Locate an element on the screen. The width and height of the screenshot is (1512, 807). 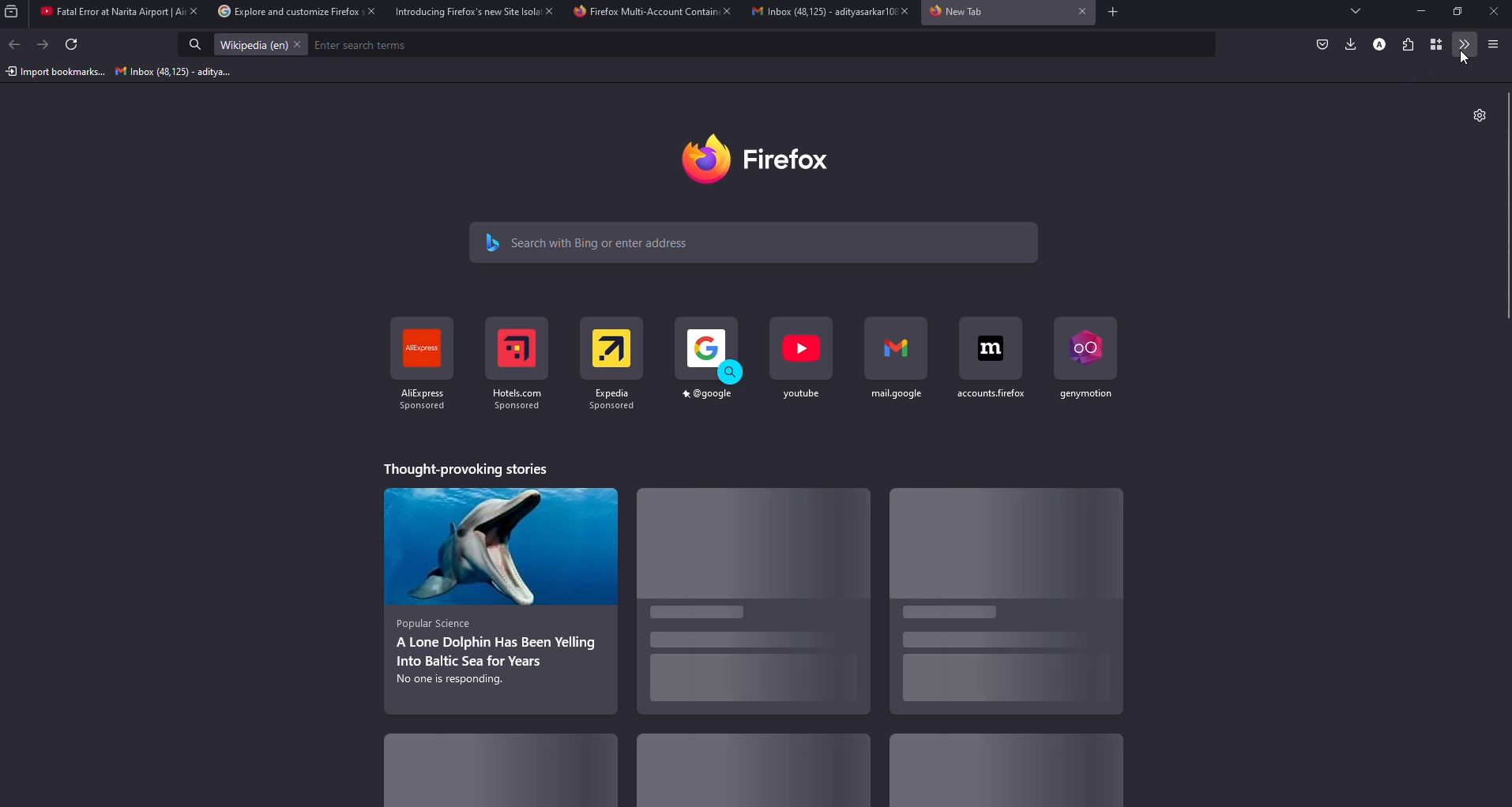
shortcut is located at coordinates (990, 358).